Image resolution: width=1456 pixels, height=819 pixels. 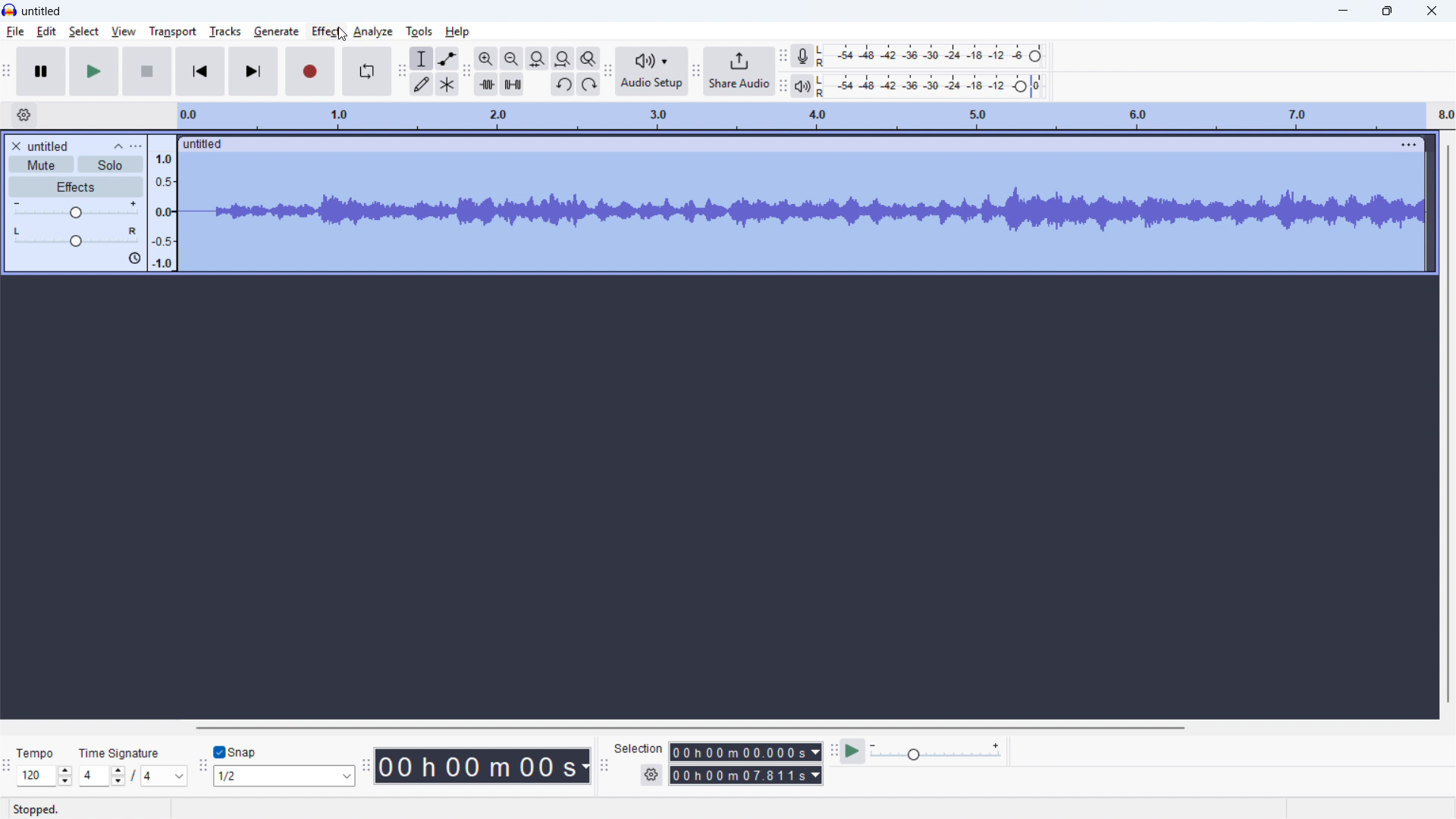 I want to click on track options , so click(x=1410, y=143).